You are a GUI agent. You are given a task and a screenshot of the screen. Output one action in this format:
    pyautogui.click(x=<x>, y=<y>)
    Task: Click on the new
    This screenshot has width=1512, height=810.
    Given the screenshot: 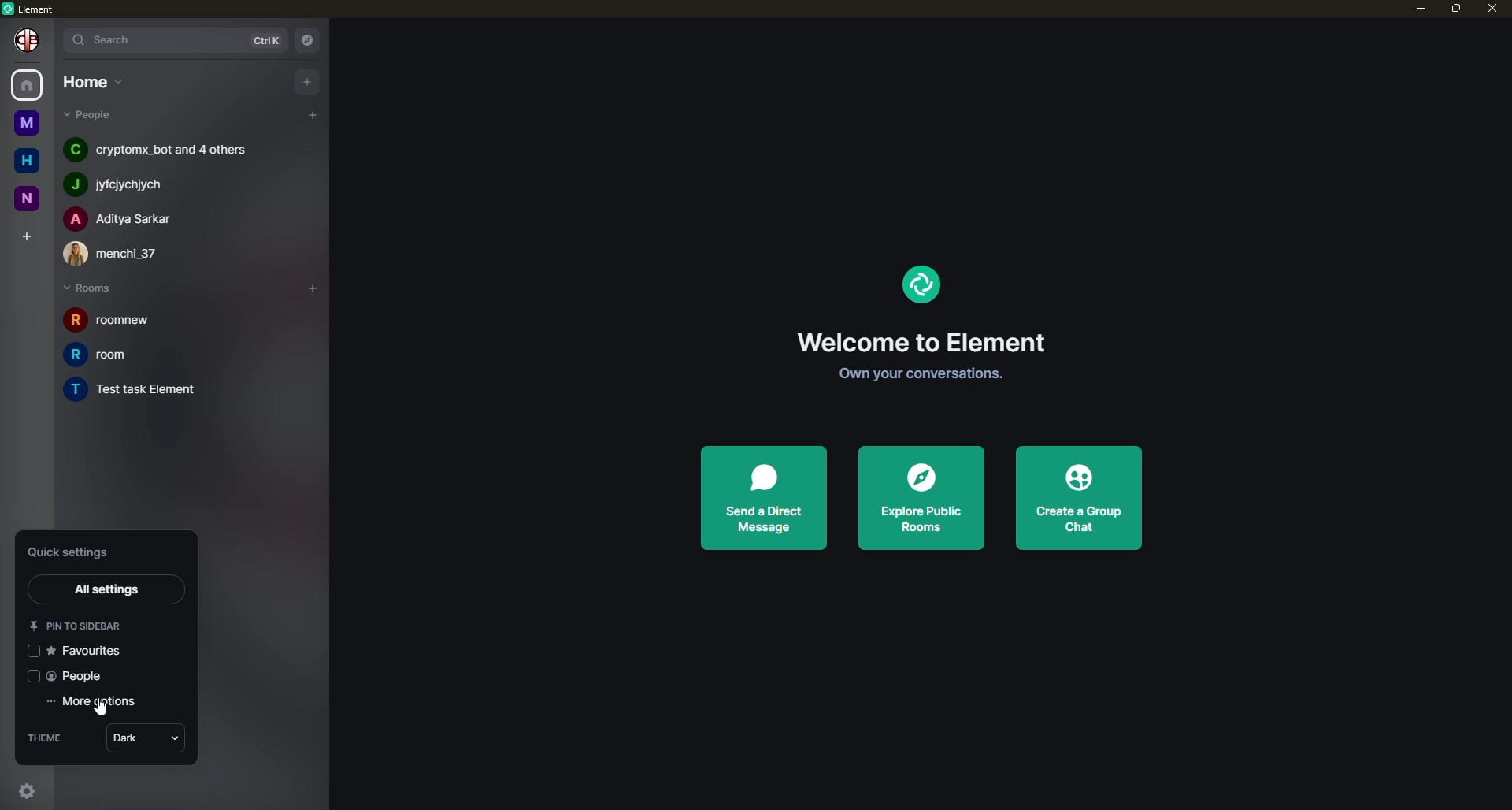 What is the action you would take?
    pyautogui.click(x=25, y=199)
    